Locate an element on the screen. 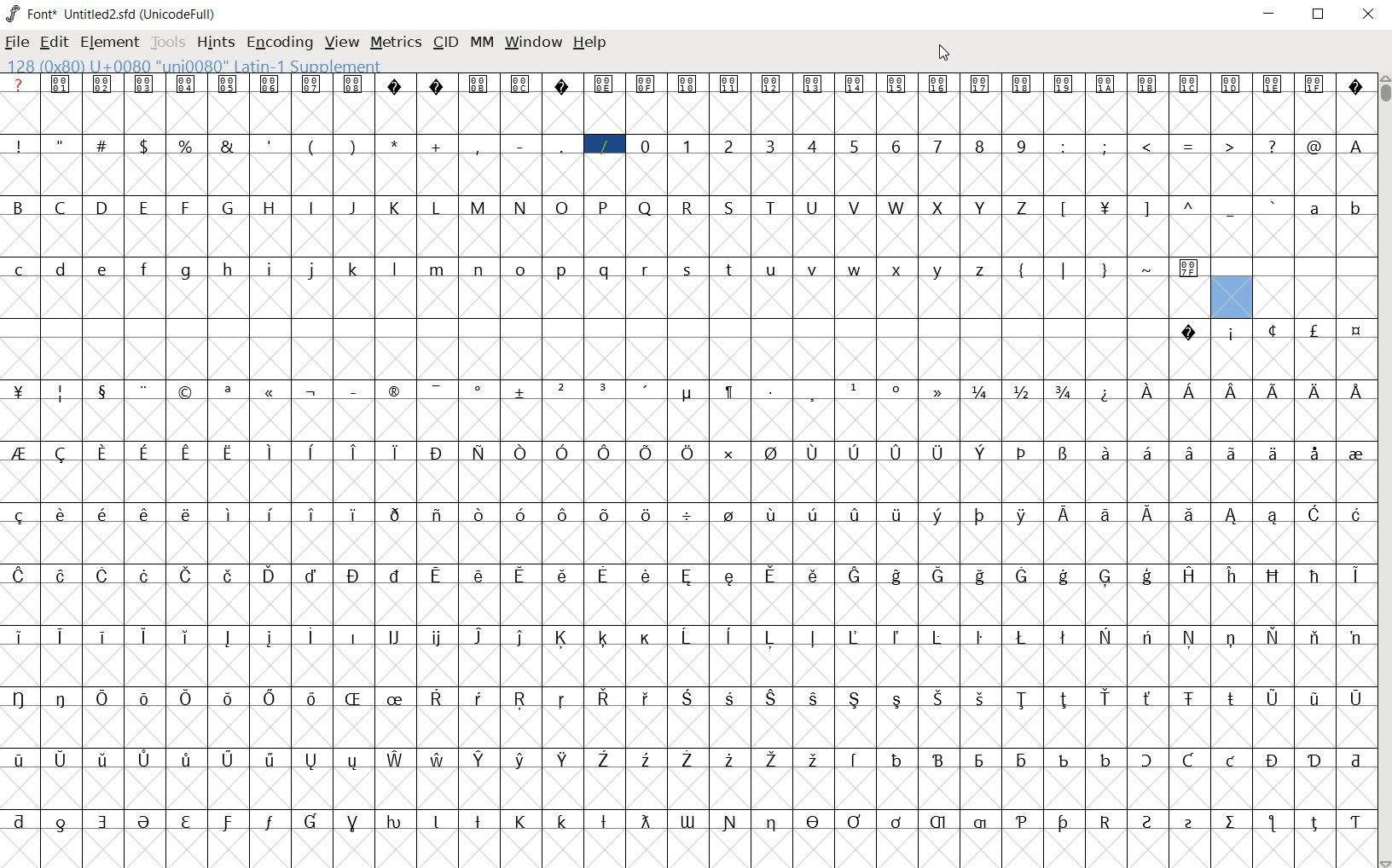  RESTORE is located at coordinates (1322, 16).